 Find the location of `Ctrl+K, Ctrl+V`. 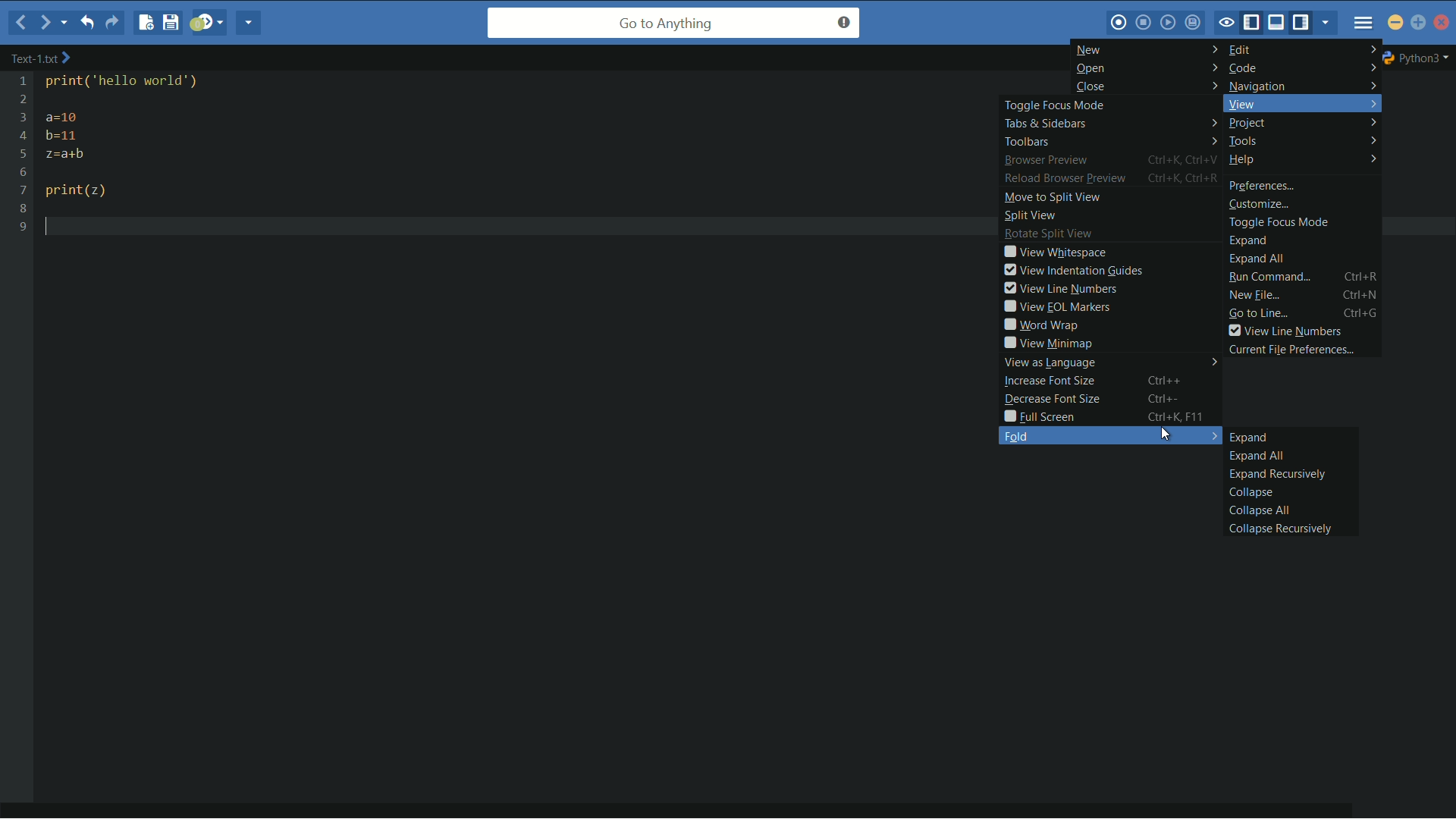

Ctrl+K, Ctrl+V is located at coordinates (1185, 160).